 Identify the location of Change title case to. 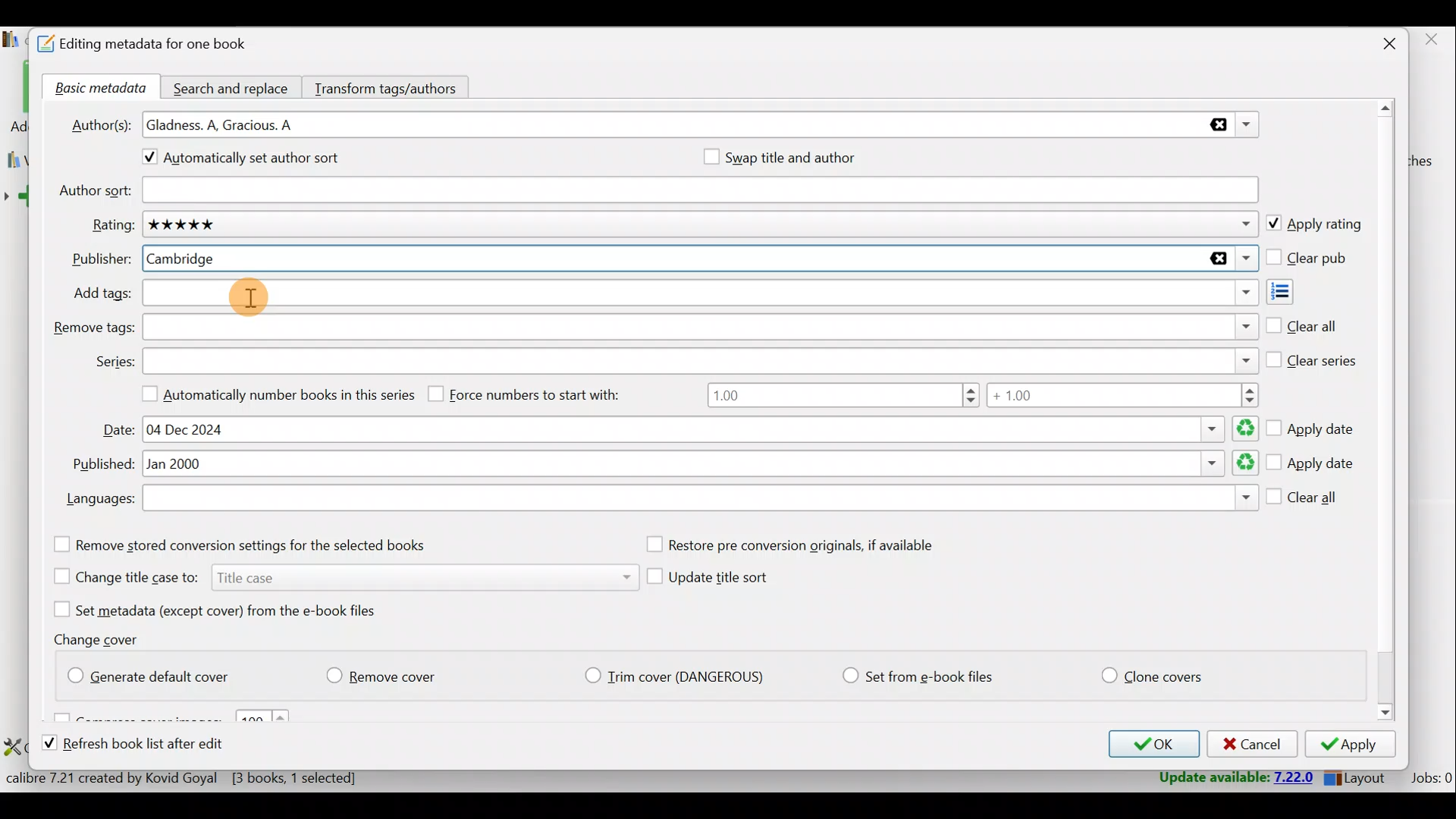
(339, 576).